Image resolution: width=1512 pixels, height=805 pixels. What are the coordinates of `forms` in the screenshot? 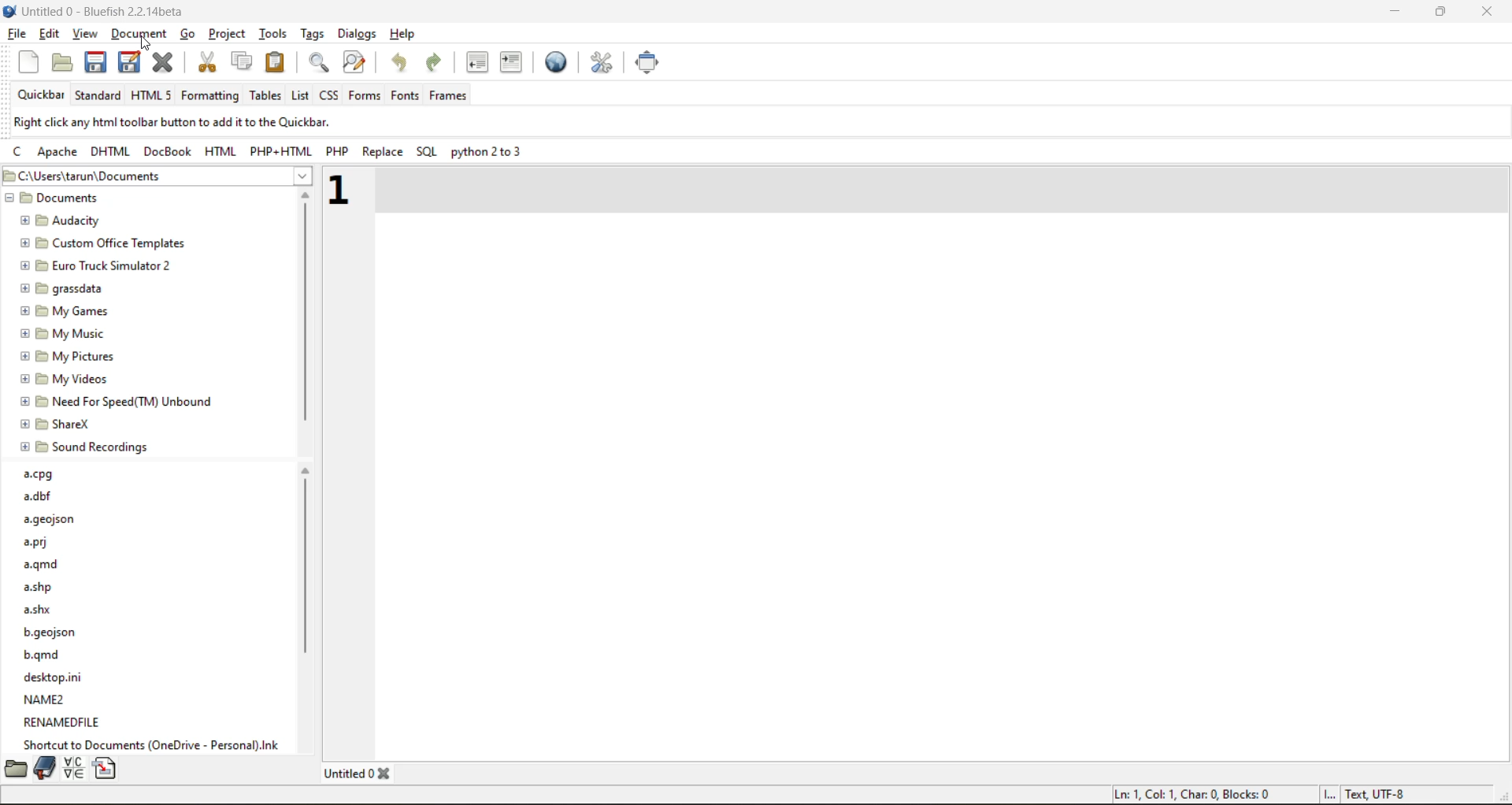 It's located at (365, 96).